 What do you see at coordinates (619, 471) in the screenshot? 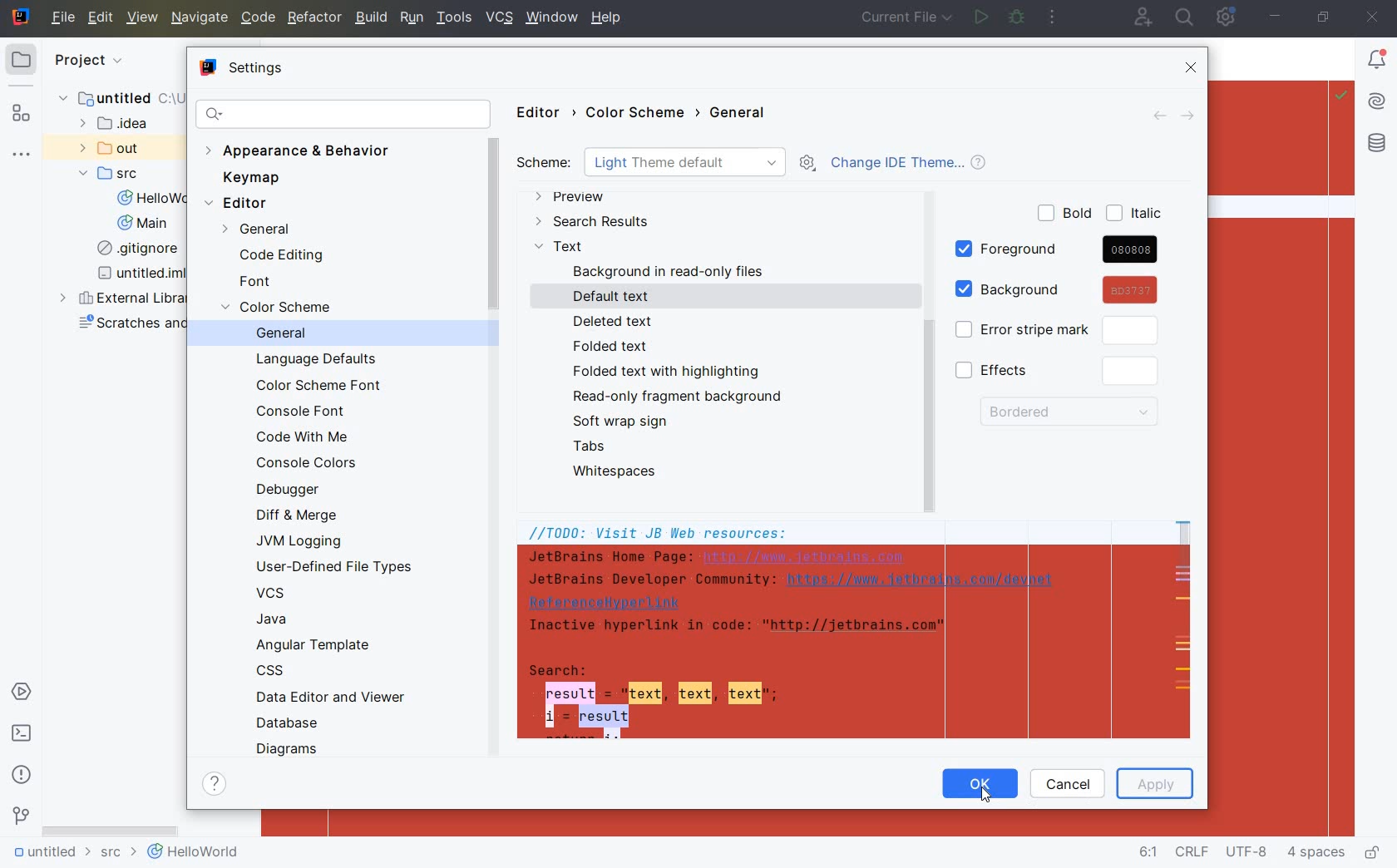
I see `WHITESPACES` at bounding box center [619, 471].